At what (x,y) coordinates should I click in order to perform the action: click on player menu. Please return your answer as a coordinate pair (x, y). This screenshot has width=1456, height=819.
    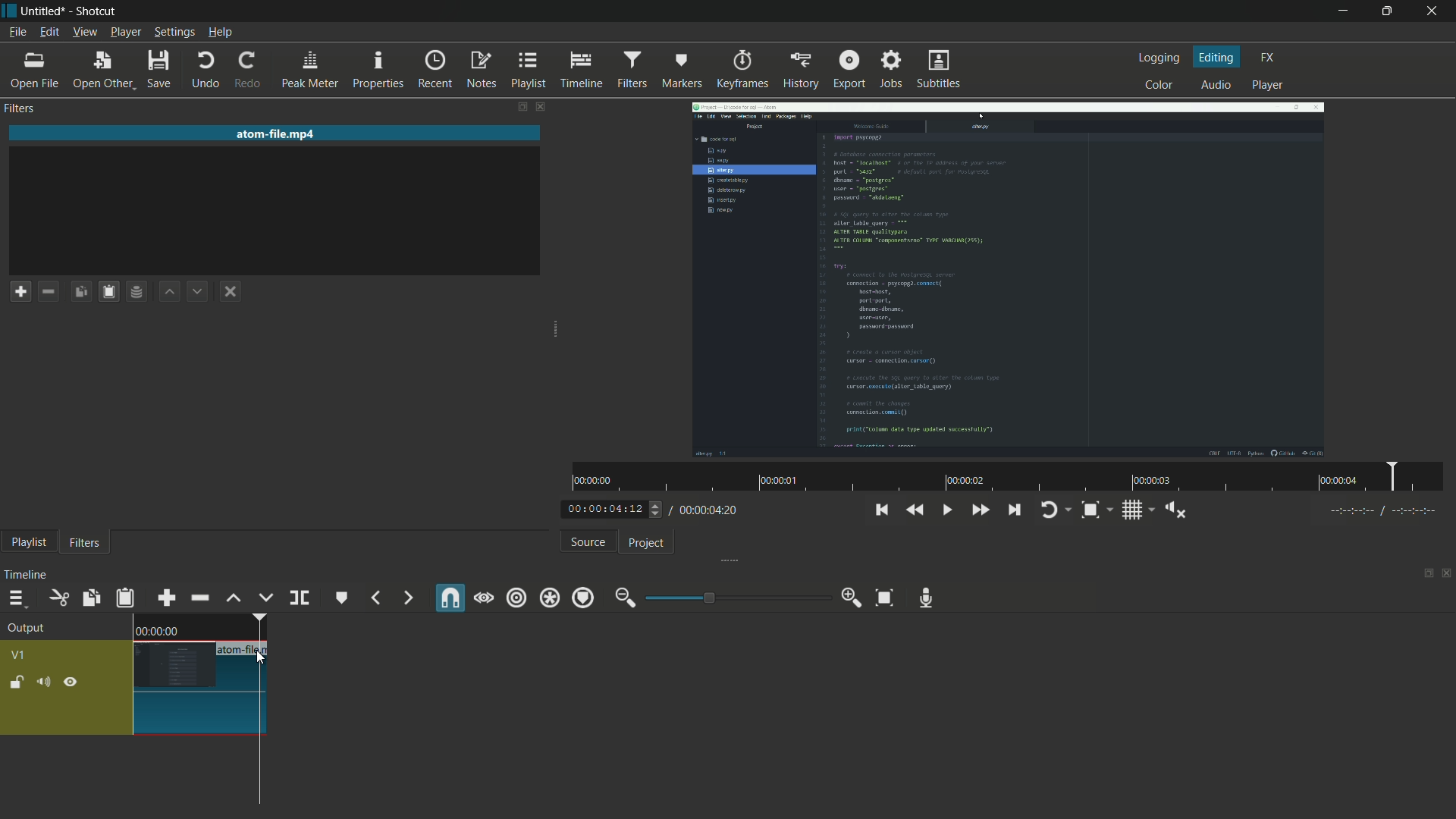
    Looking at the image, I should click on (126, 33).